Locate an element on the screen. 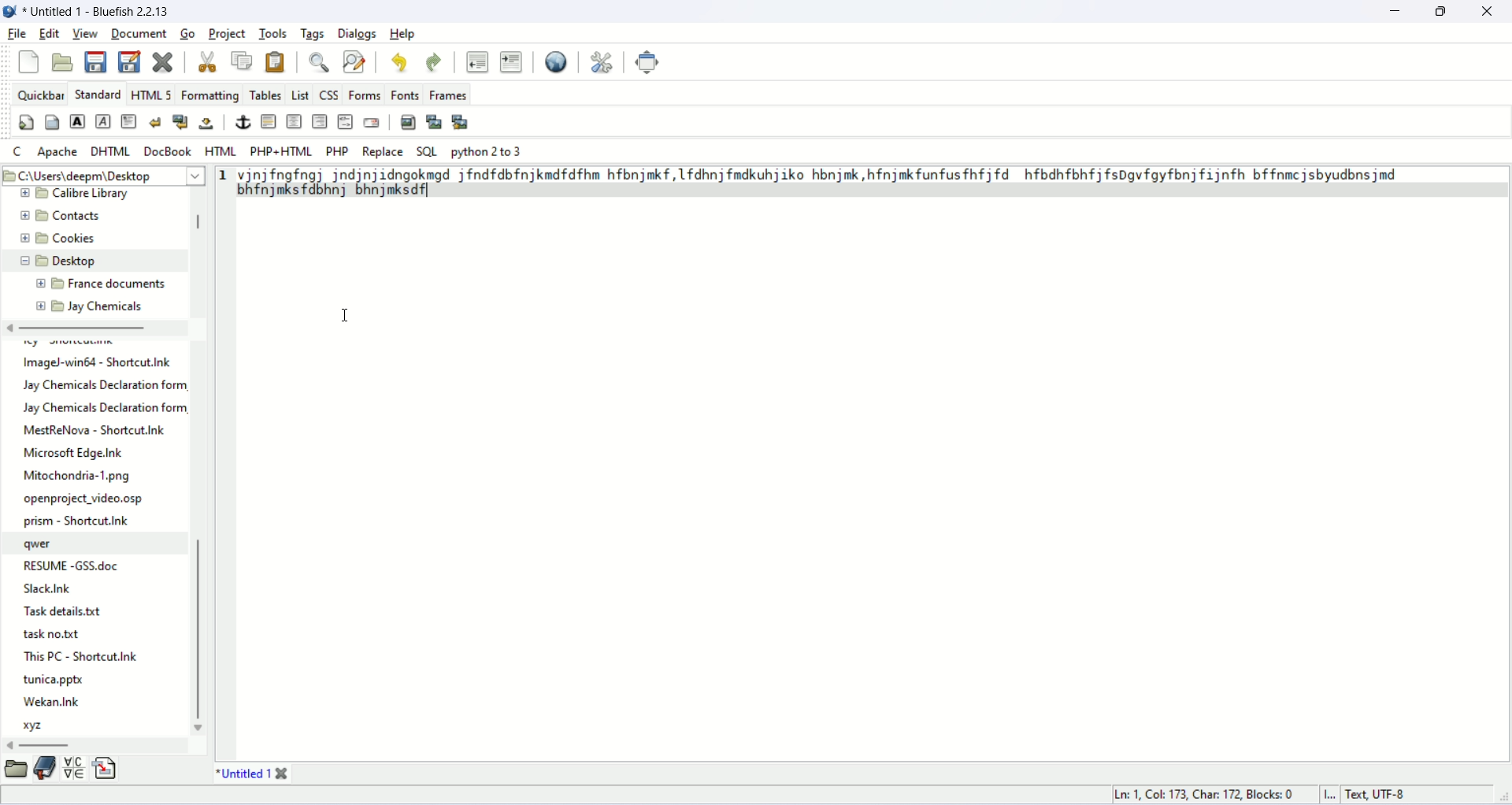 This screenshot has width=1512, height=805. Microsoft Edge.Ink is located at coordinates (74, 453).